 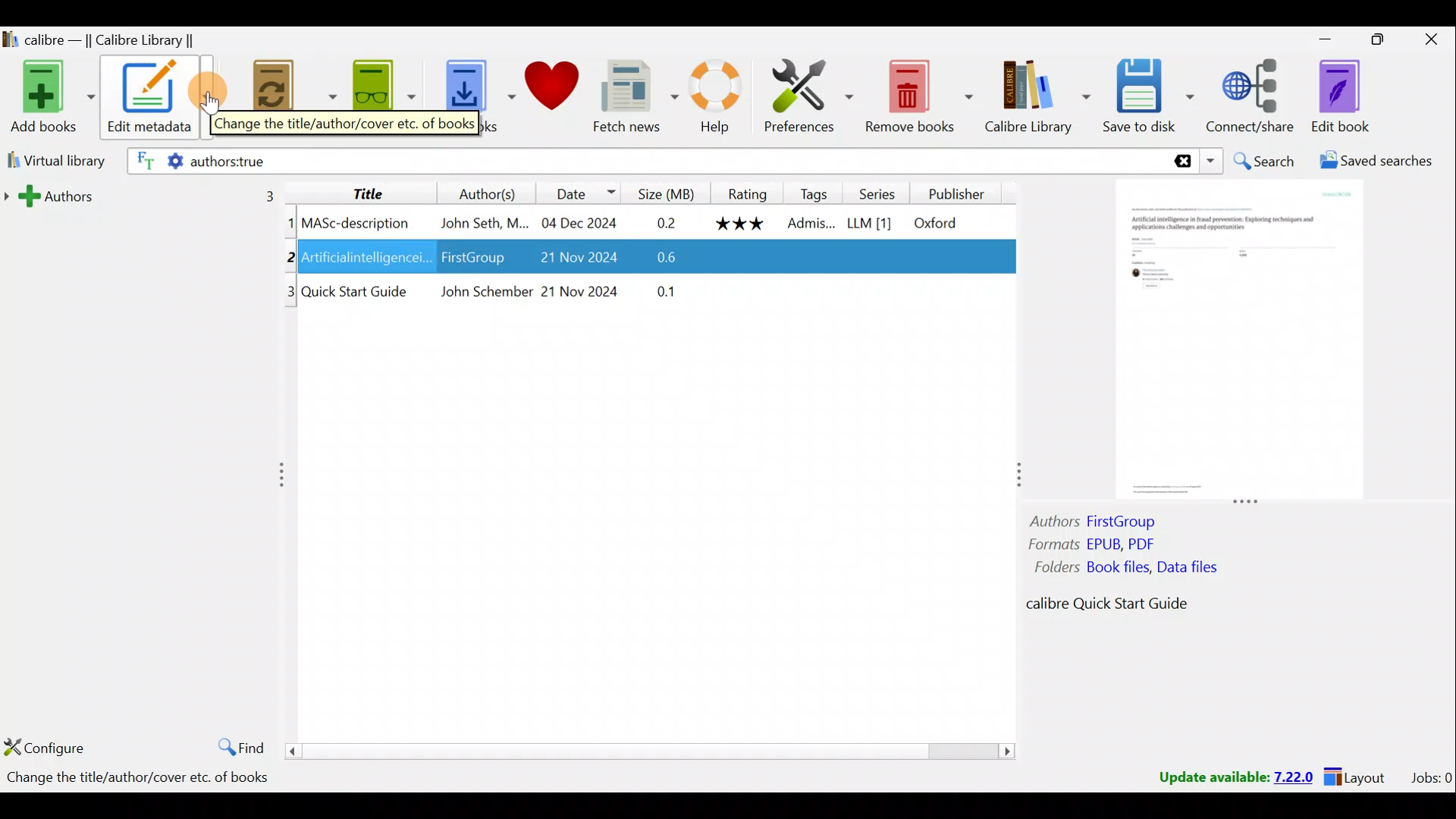 I want to click on Saved searches, so click(x=1385, y=161).